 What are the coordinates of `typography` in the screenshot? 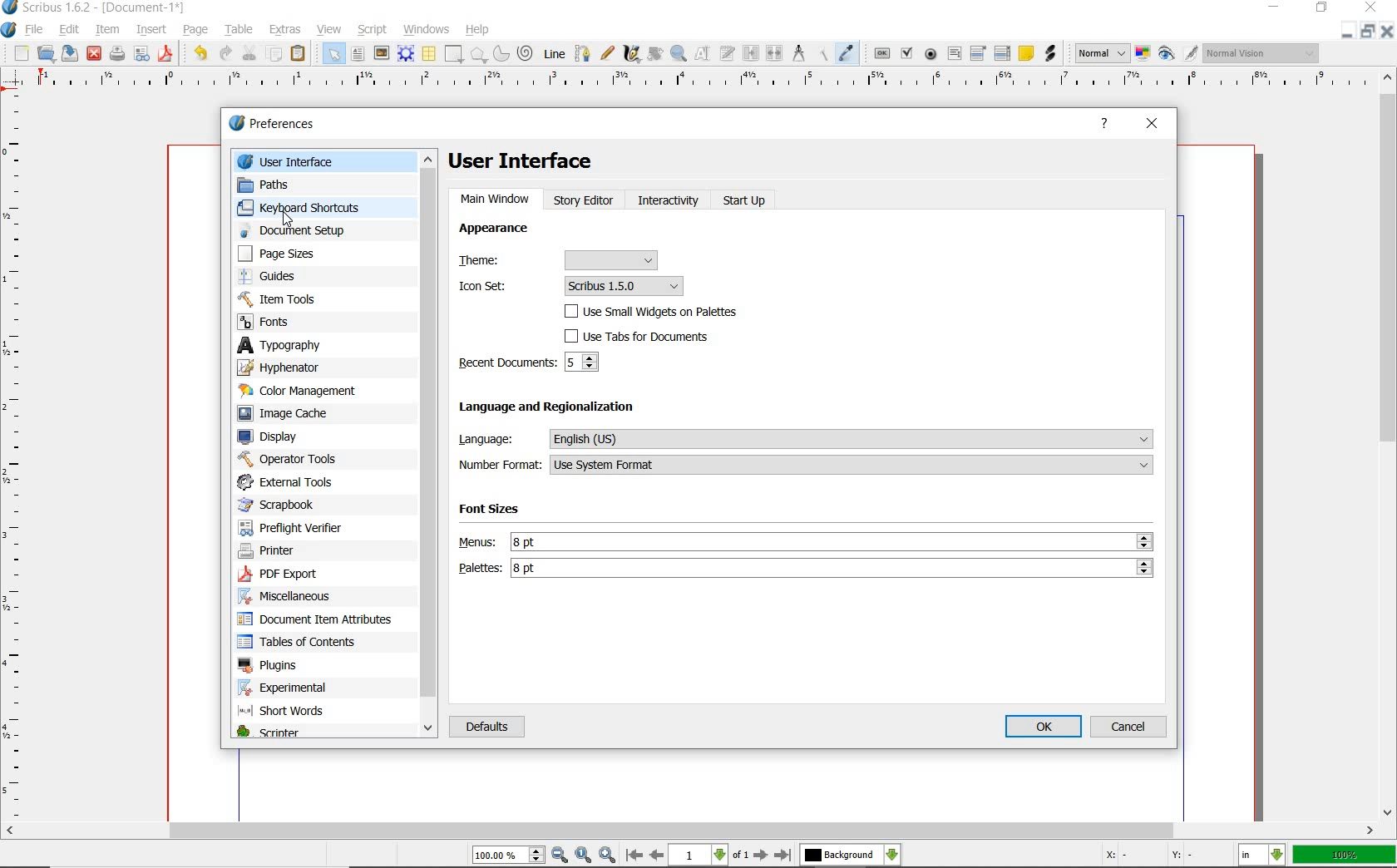 It's located at (294, 345).